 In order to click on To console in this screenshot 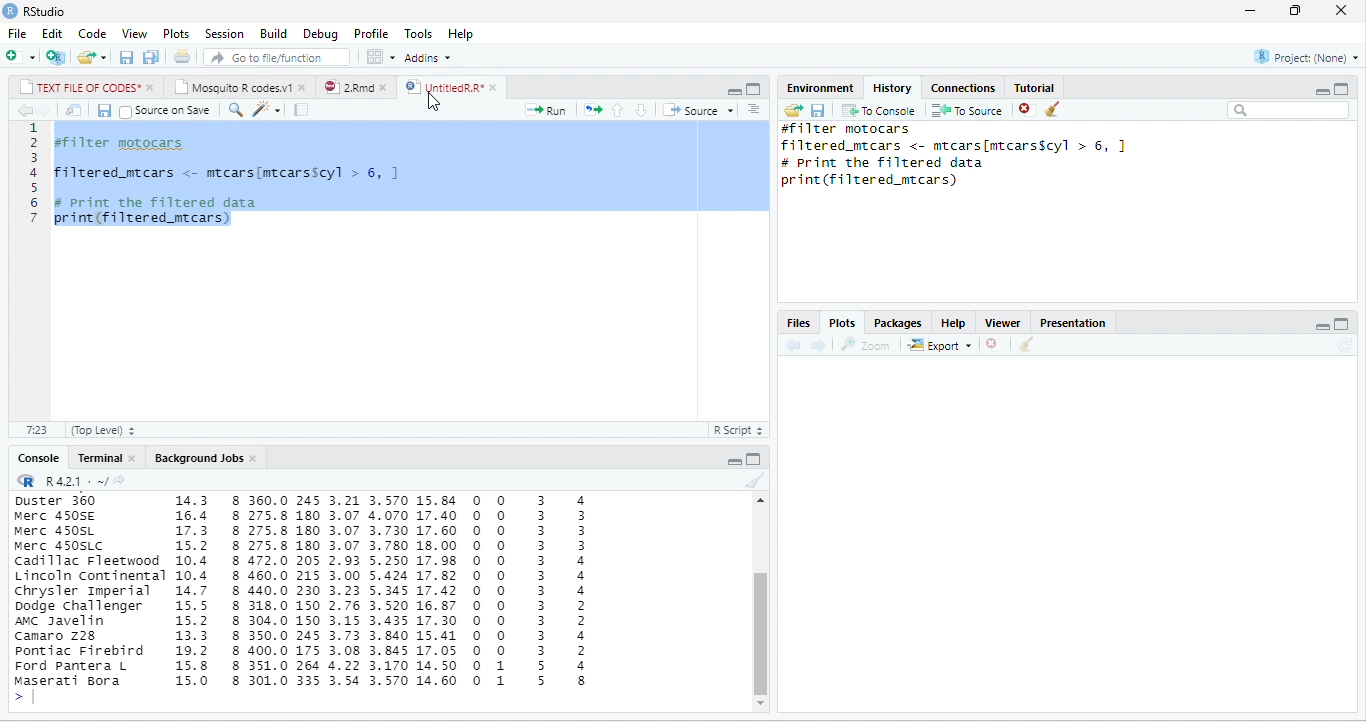, I will do `click(879, 110)`.